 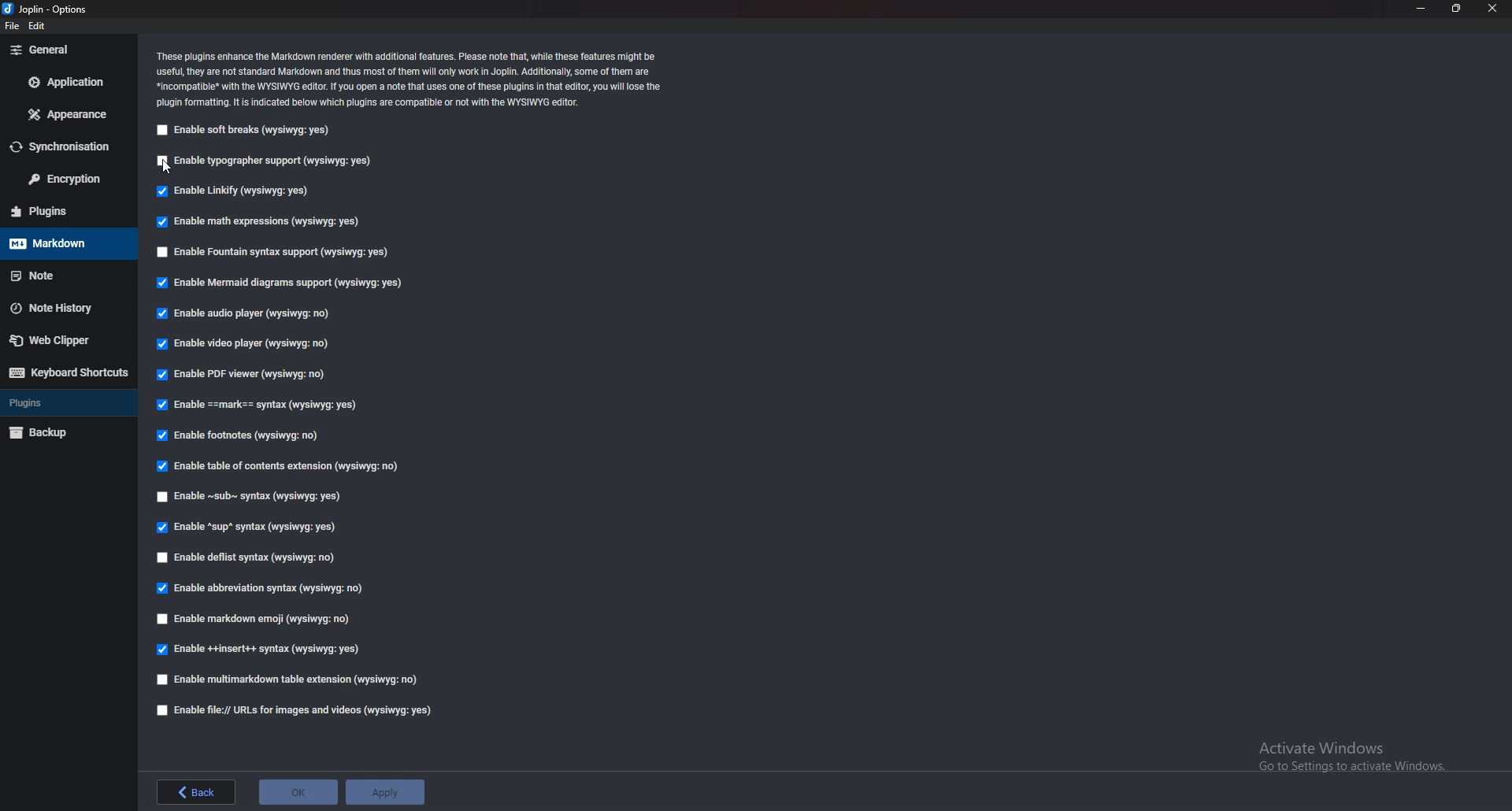 What do you see at coordinates (268, 590) in the screenshot?
I see `Enable abbreviation syntax` at bounding box center [268, 590].